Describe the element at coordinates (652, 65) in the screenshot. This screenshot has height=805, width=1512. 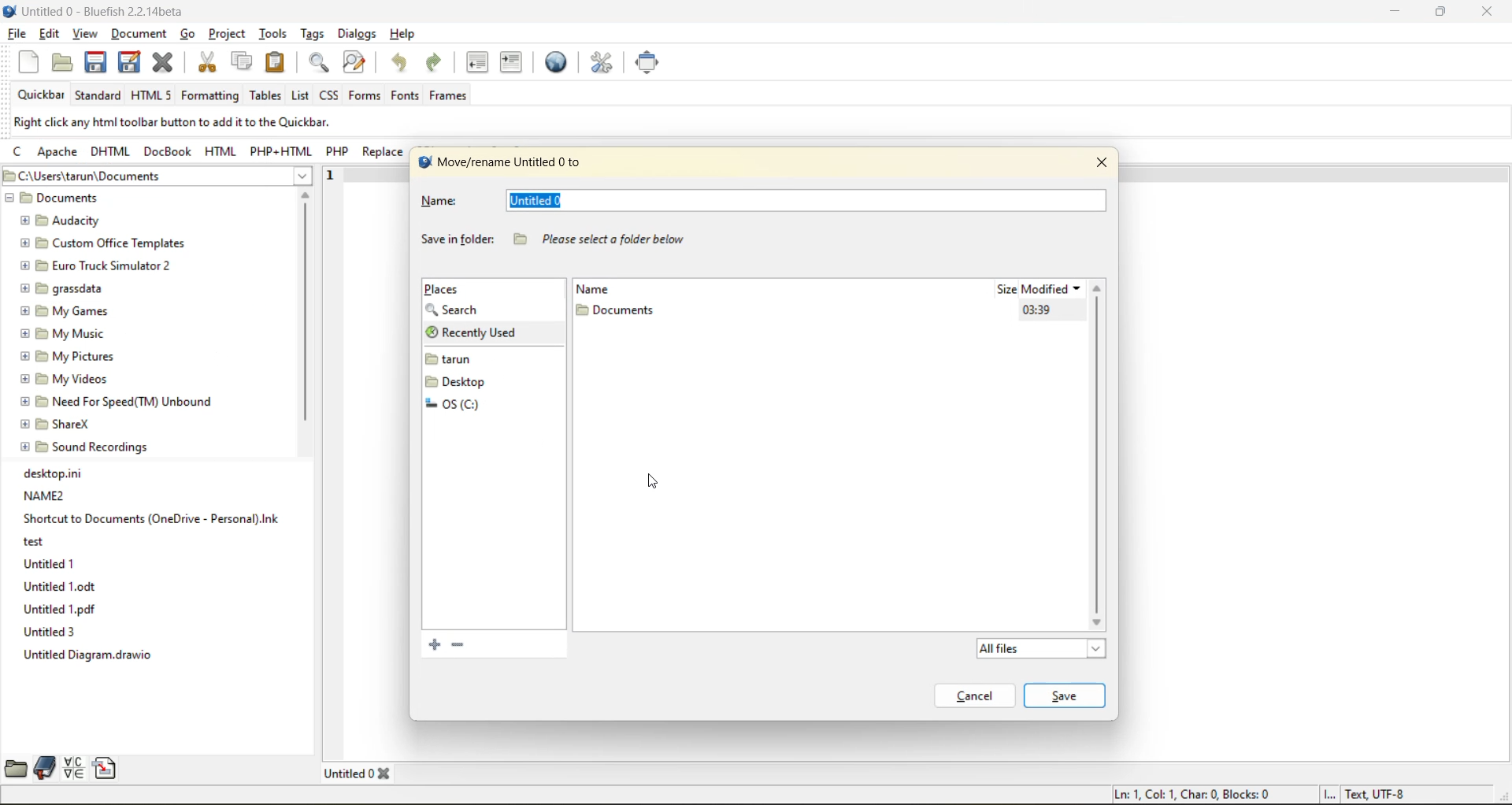
I see `full screen` at that location.